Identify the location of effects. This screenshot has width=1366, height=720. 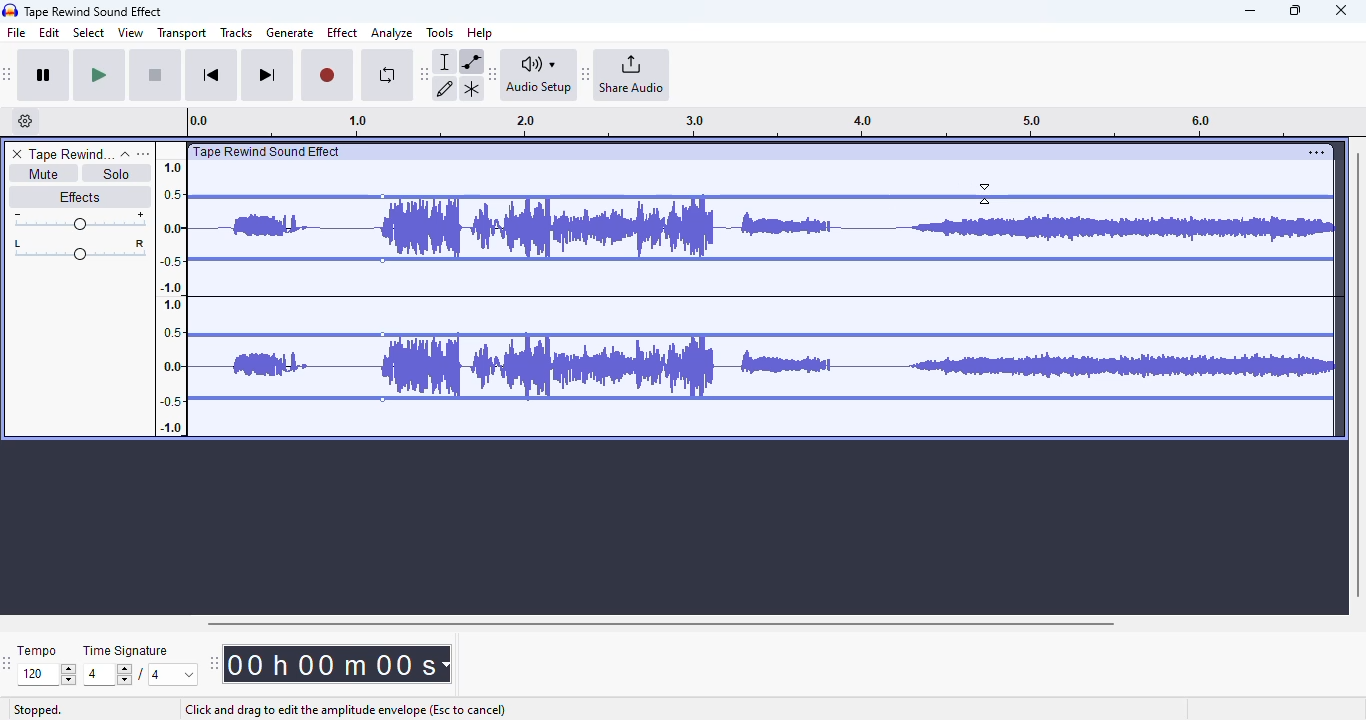
(79, 196).